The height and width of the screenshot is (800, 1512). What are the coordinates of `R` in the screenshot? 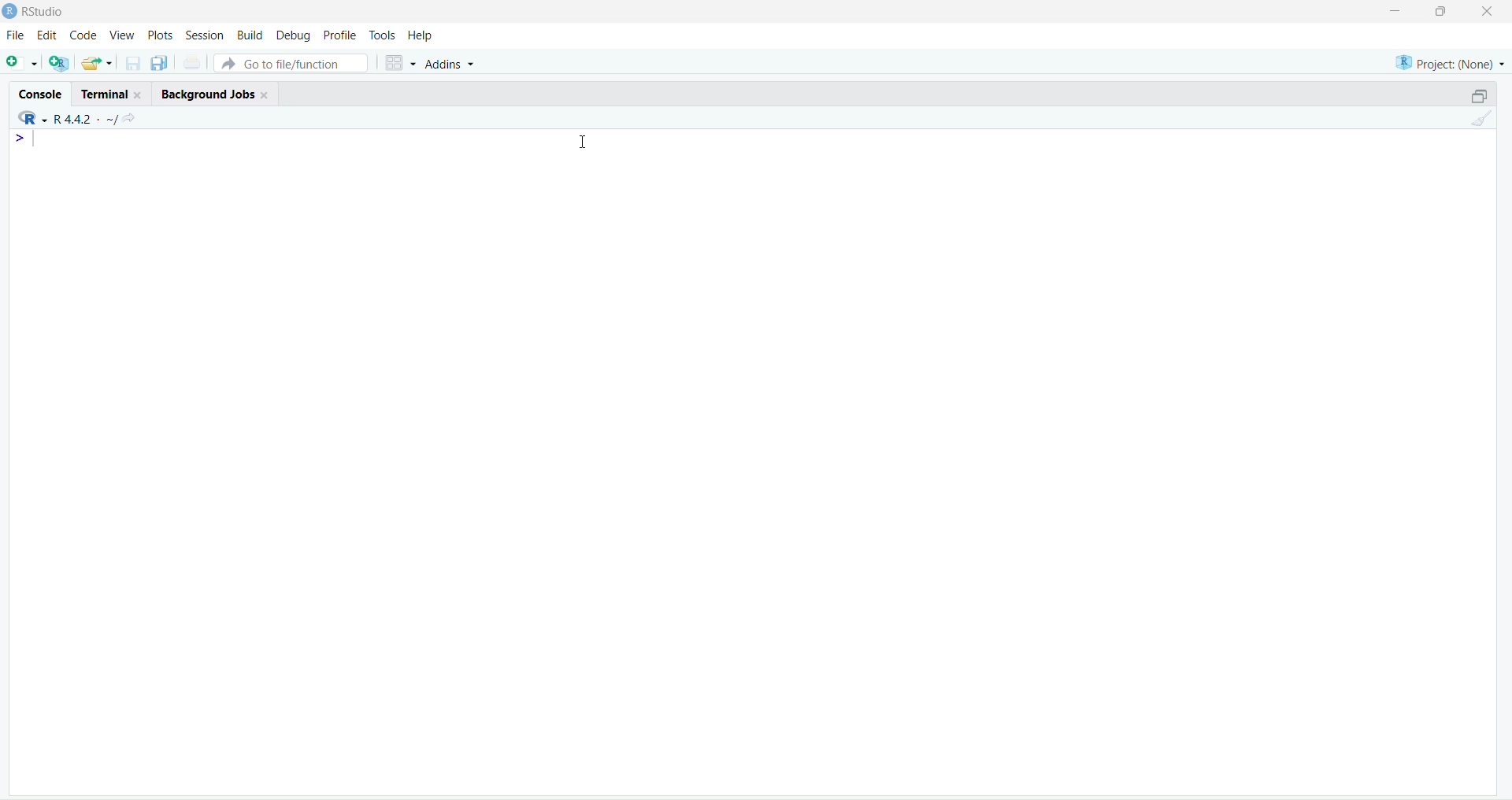 It's located at (32, 117).